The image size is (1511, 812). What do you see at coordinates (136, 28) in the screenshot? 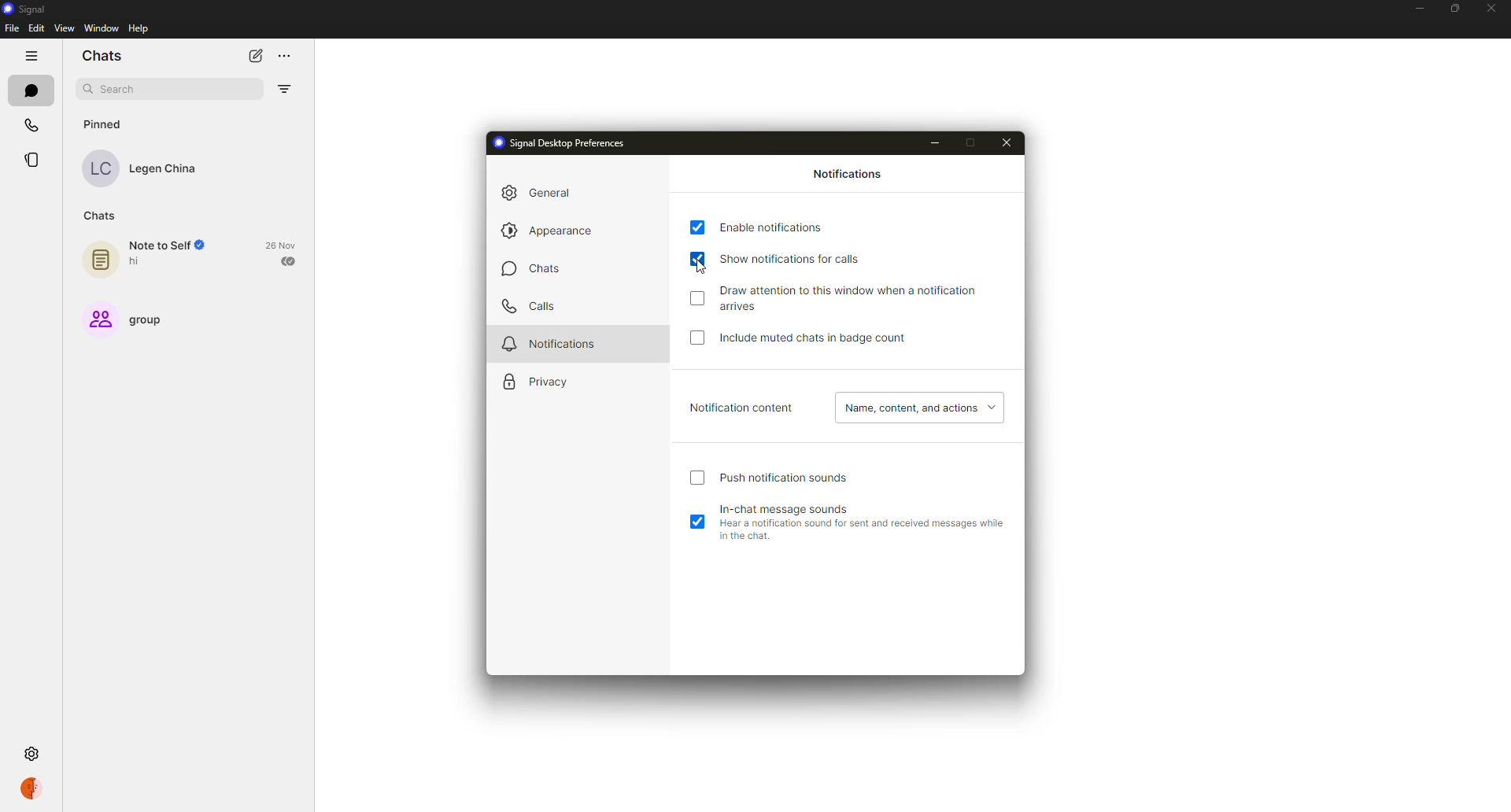
I see `help` at bounding box center [136, 28].